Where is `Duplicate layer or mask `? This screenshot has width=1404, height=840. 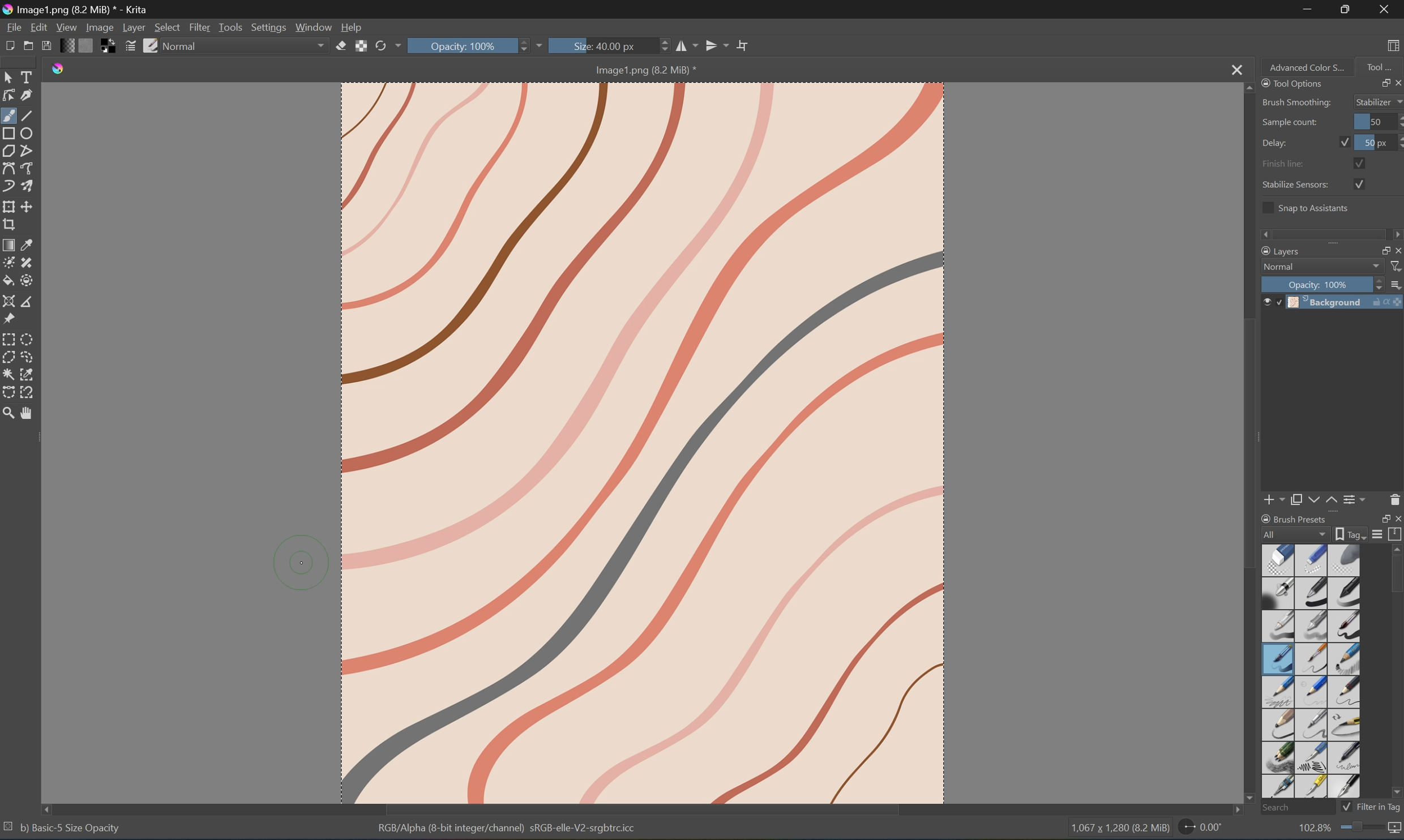 Duplicate layer or mask  is located at coordinates (1296, 500).